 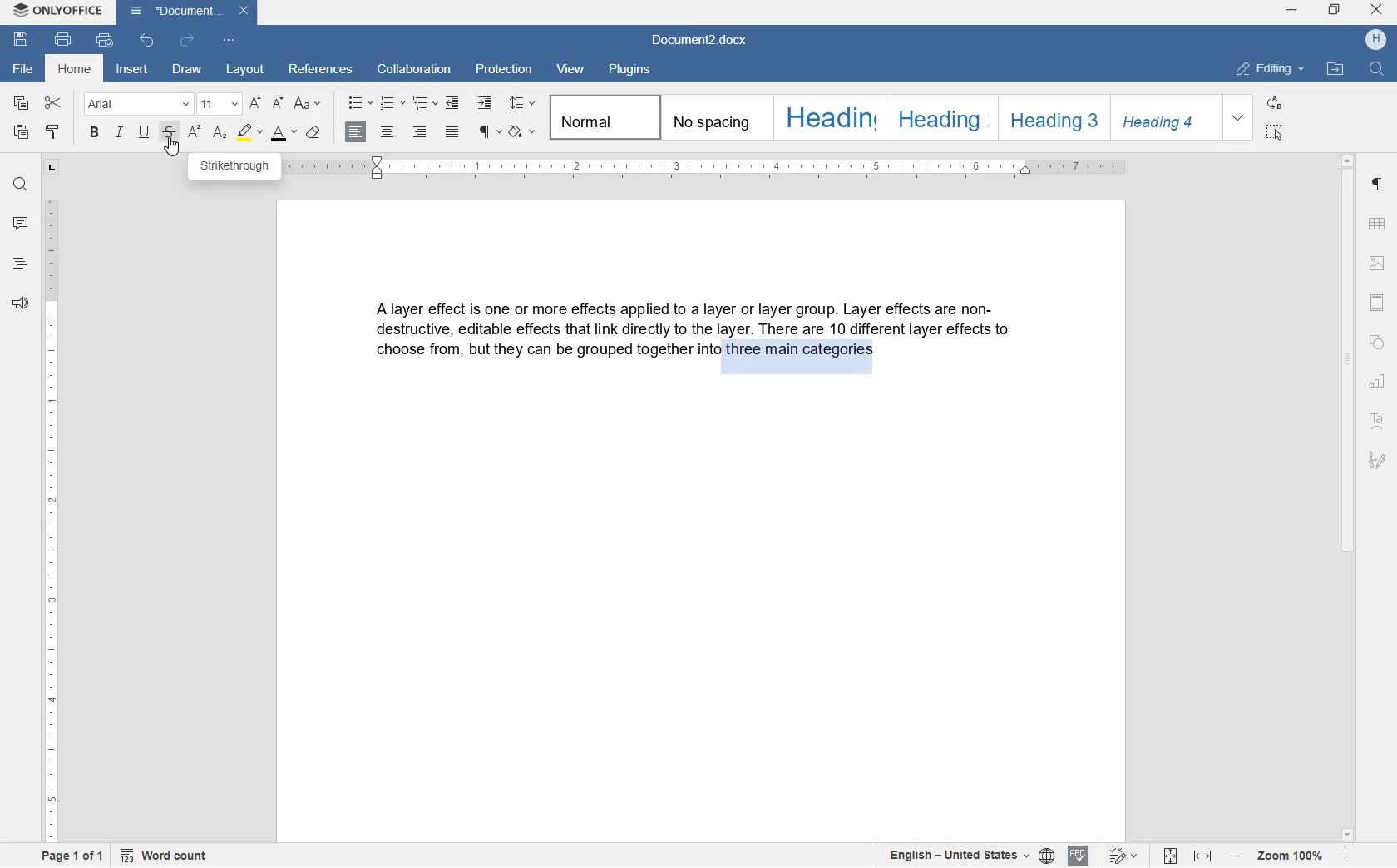 What do you see at coordinates (454, 103) in the screenshot?
I see `decrease indent` at bounding box center [454, 103].